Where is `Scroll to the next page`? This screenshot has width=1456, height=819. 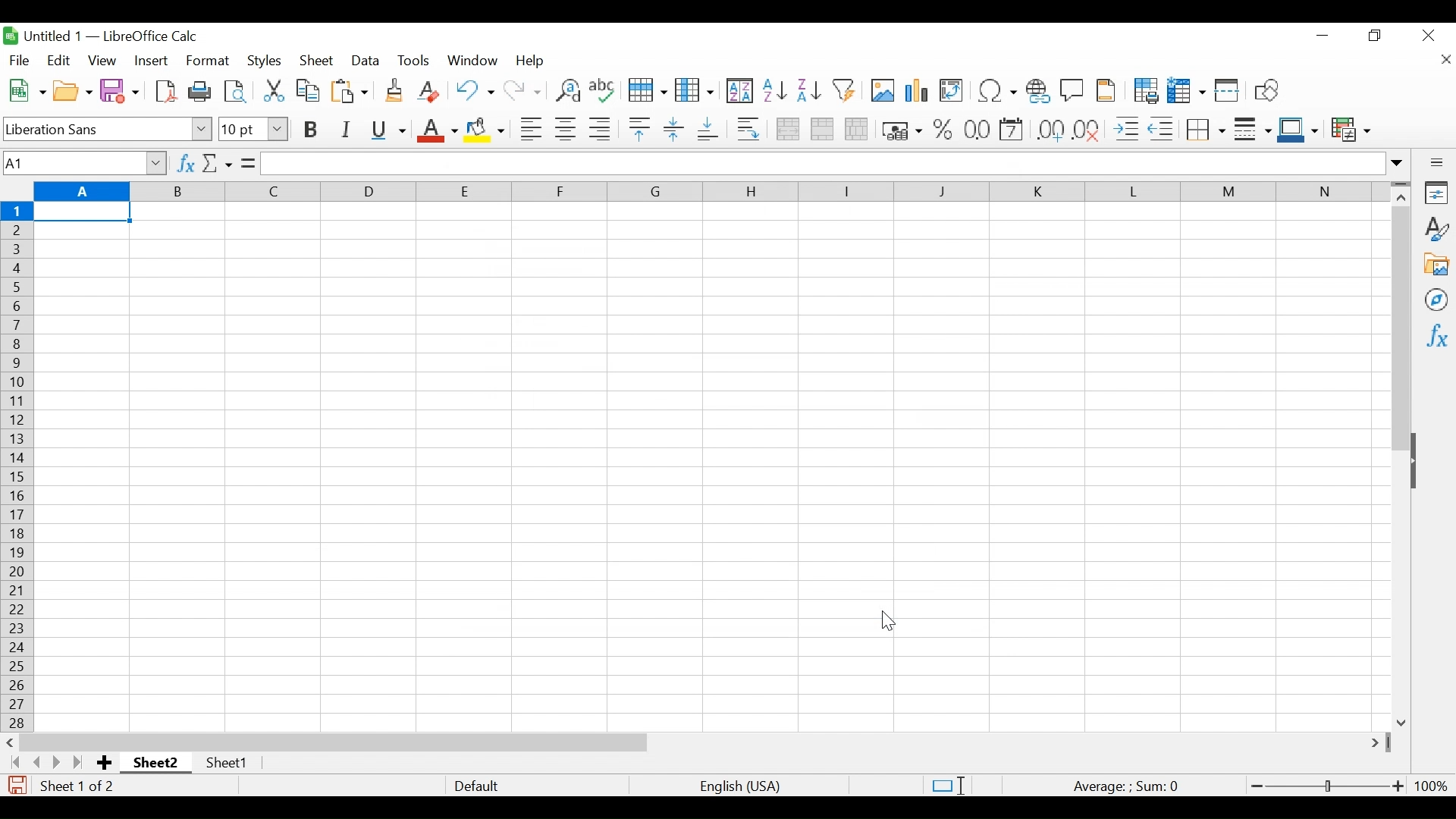 Scroll to the next page is located at coordinates (60, 762).